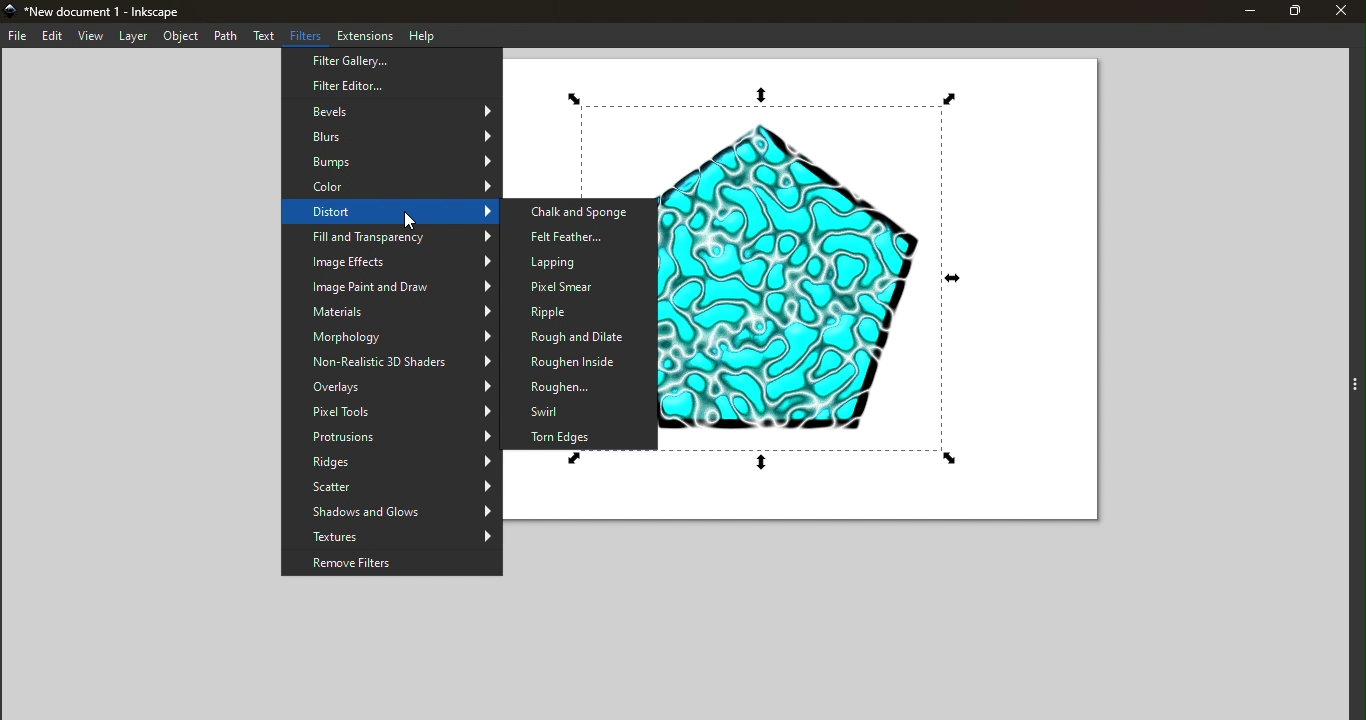  What do you see at coordinates (306, 35) in the screenshot?
I see `Filters` at bounding box center [306, 35].